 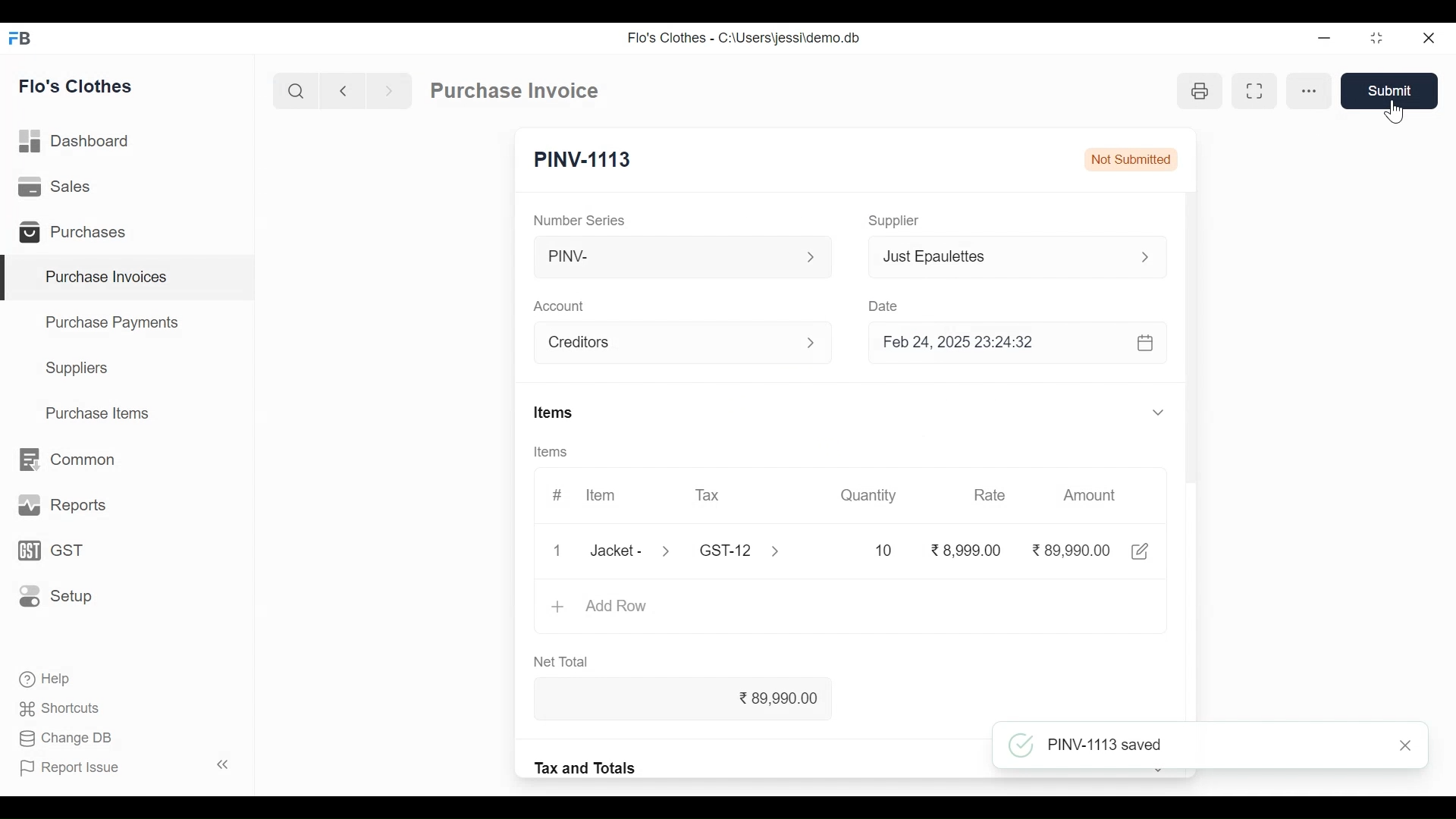 I want to click on PINV-, so click(x=667, y=257).